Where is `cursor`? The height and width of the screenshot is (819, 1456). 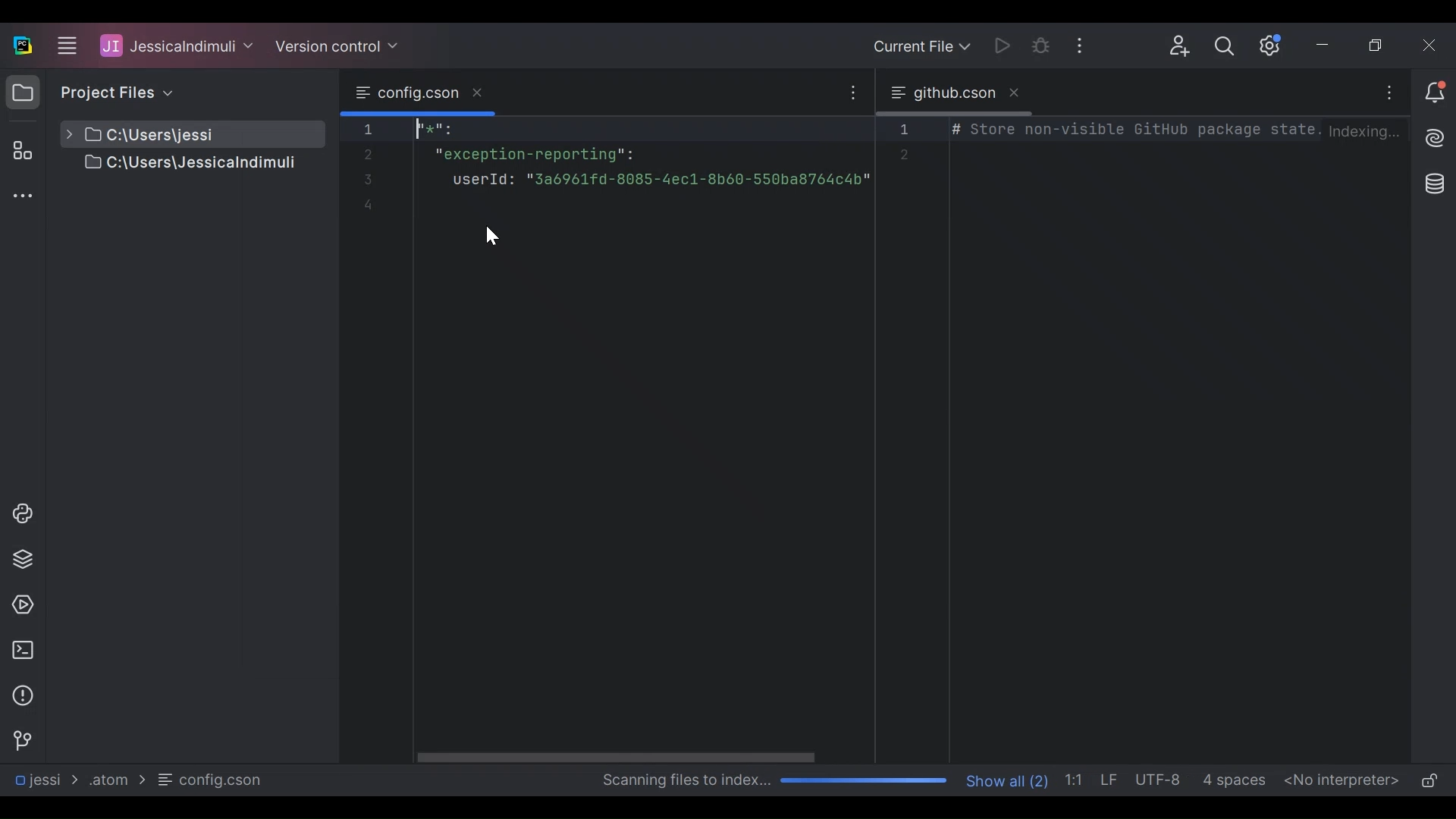 cursor is located at coordinates (488, 235).